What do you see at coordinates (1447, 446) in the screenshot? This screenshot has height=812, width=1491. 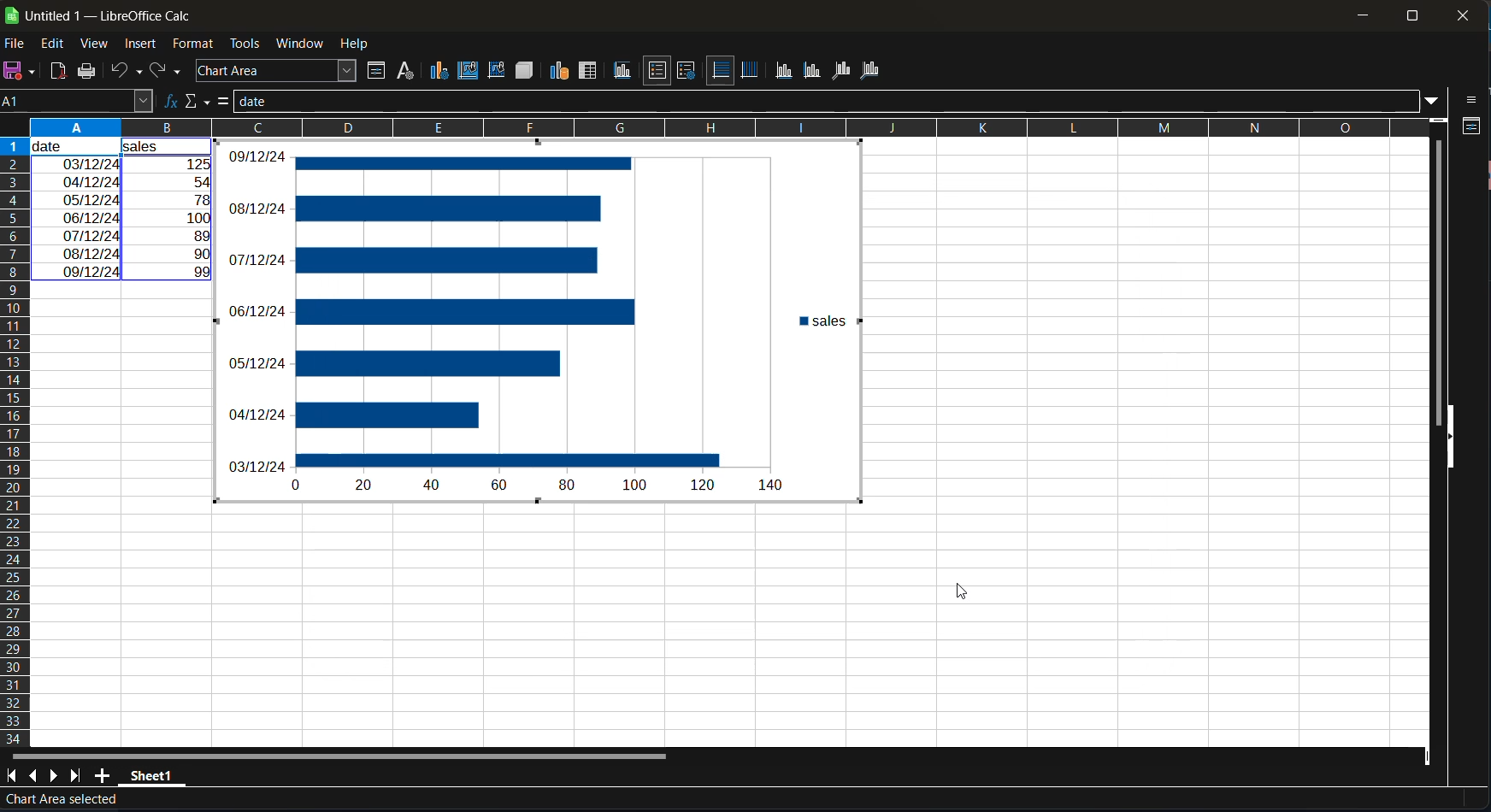 I see `hide` at bounding box center [1447, 446].